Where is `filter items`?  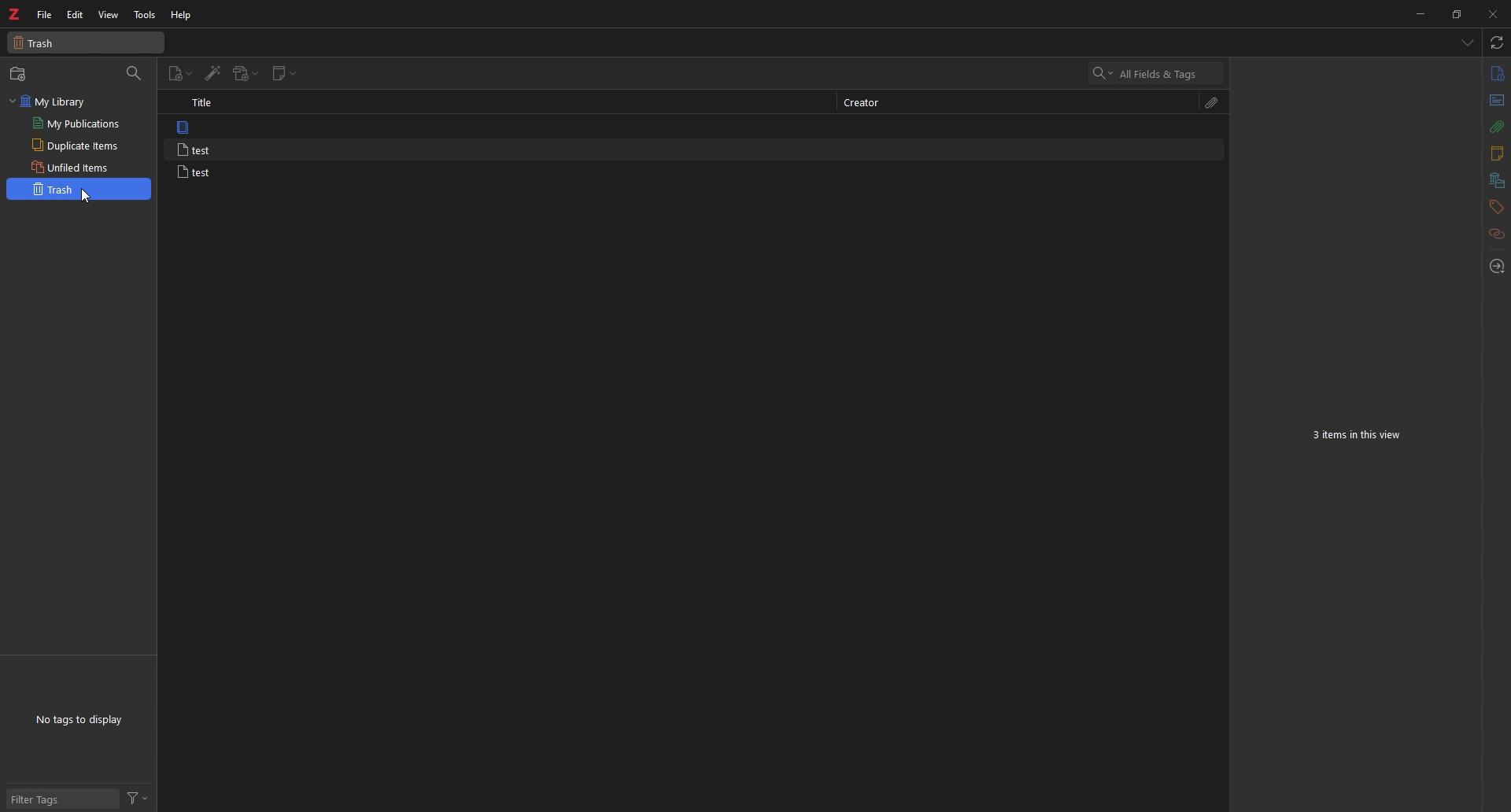 filter items is located at coordinates (135, 74).